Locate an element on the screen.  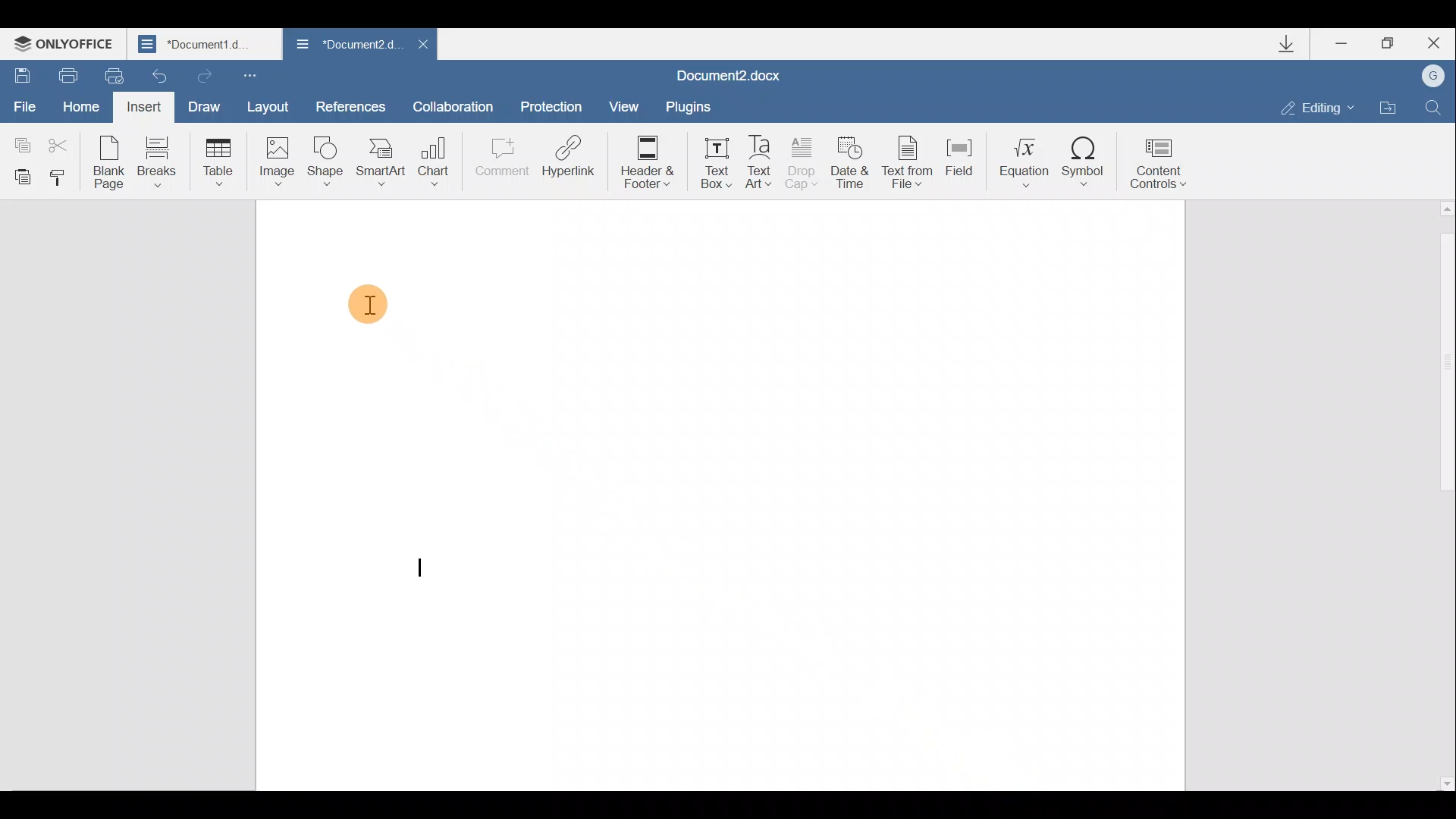
Copy style is located at coordinates (62, 178).